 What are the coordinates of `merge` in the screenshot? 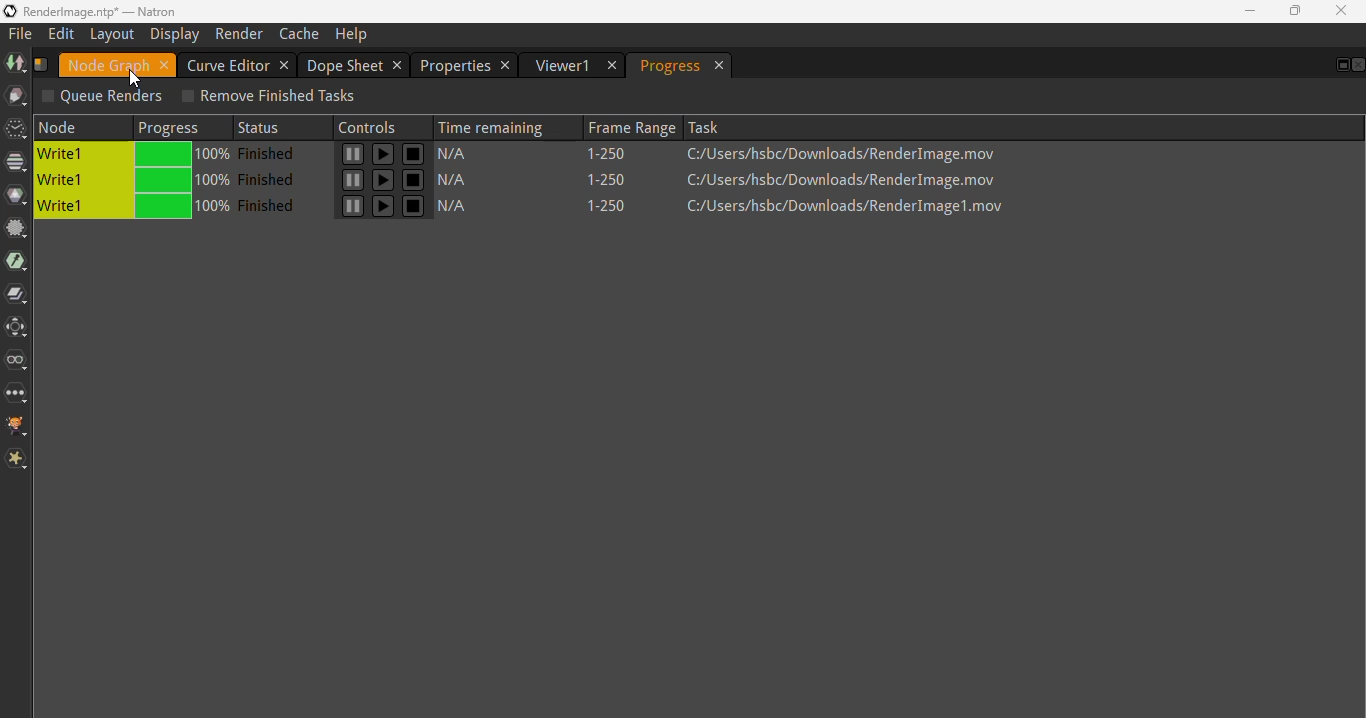 It's located at (17, 294).